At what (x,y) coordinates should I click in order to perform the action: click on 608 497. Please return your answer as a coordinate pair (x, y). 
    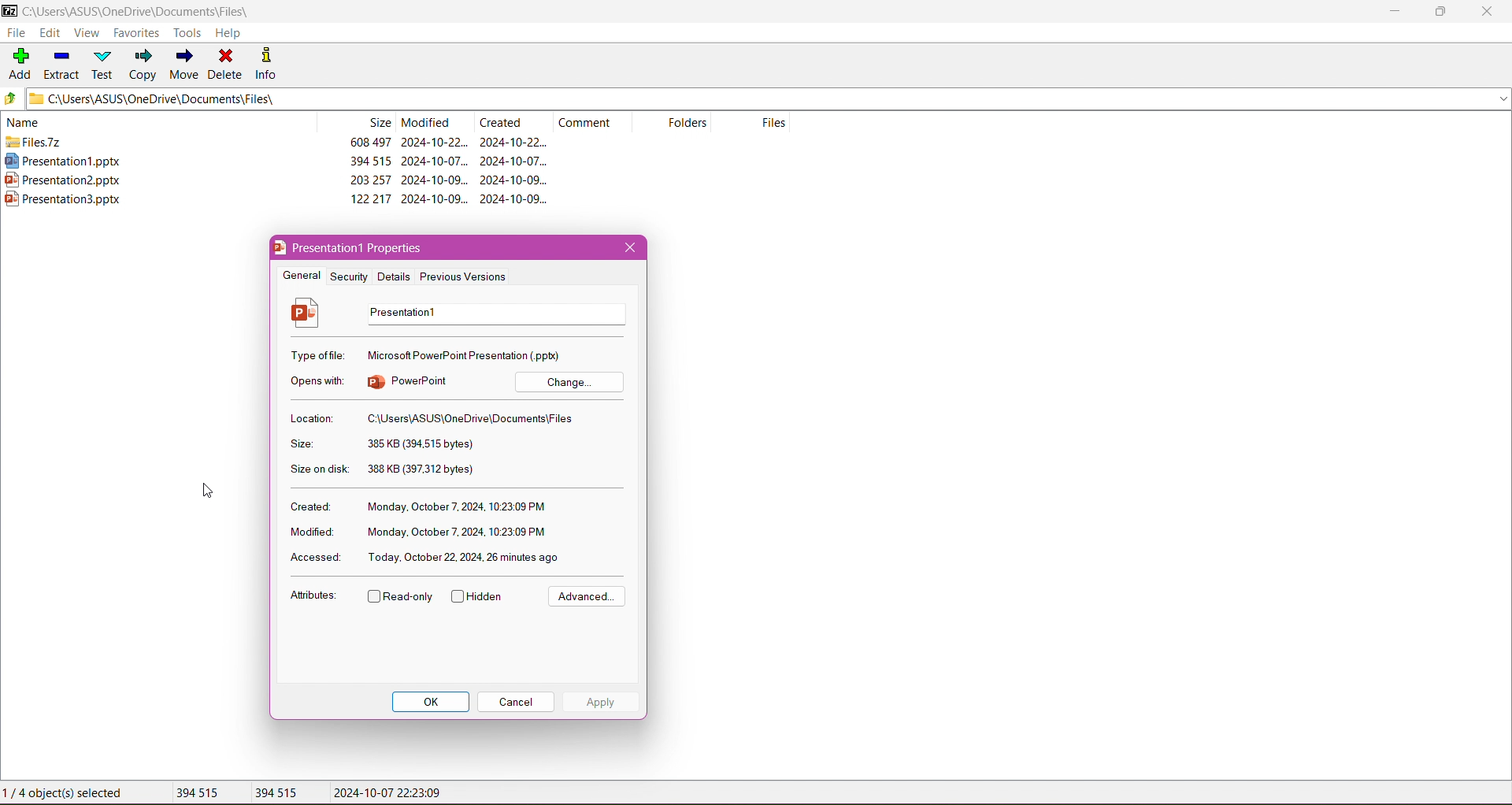
    Looking at the image, I should click on (371, 142).